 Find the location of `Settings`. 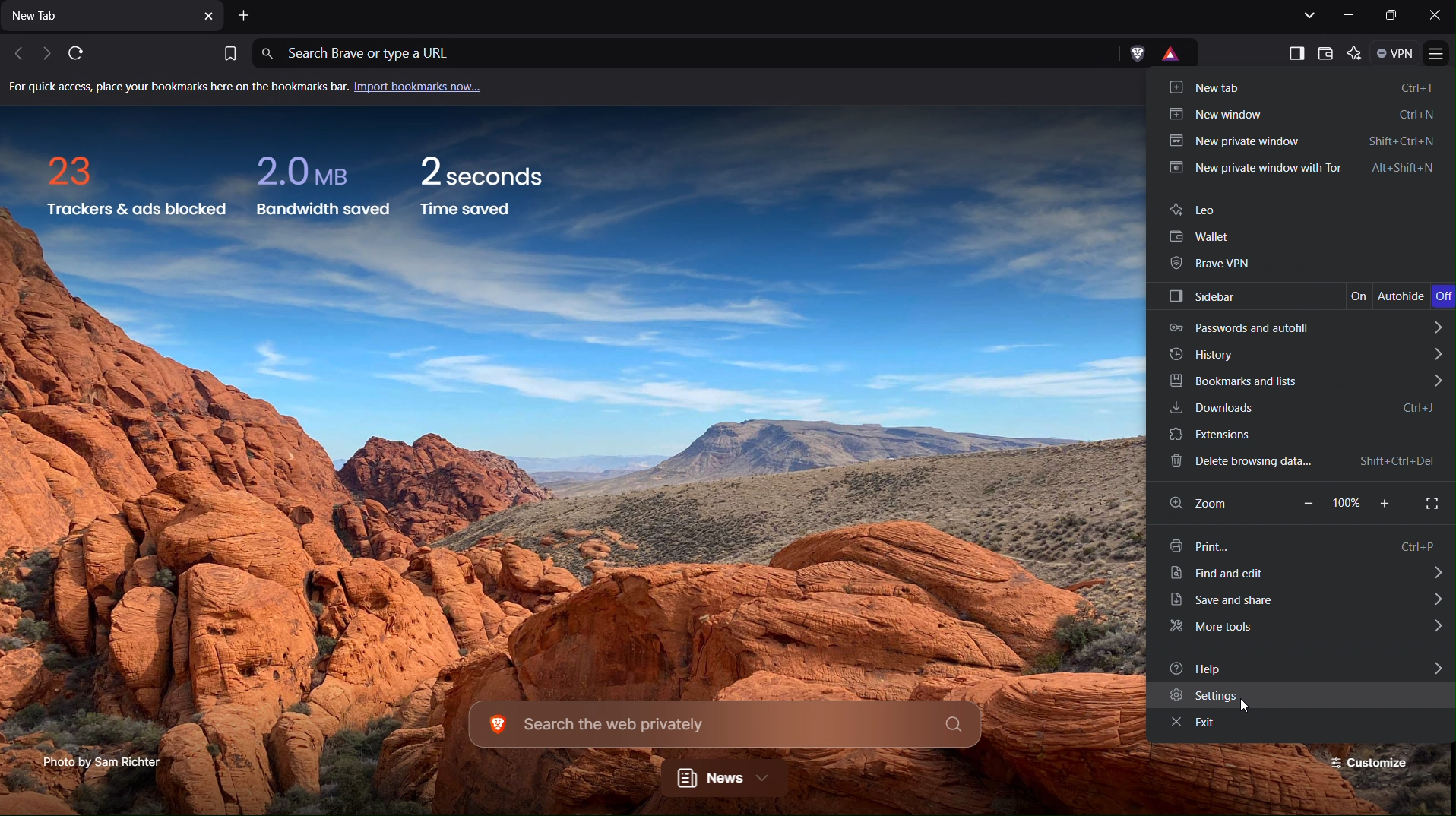

Settings is located at coordinates (1301, 697).